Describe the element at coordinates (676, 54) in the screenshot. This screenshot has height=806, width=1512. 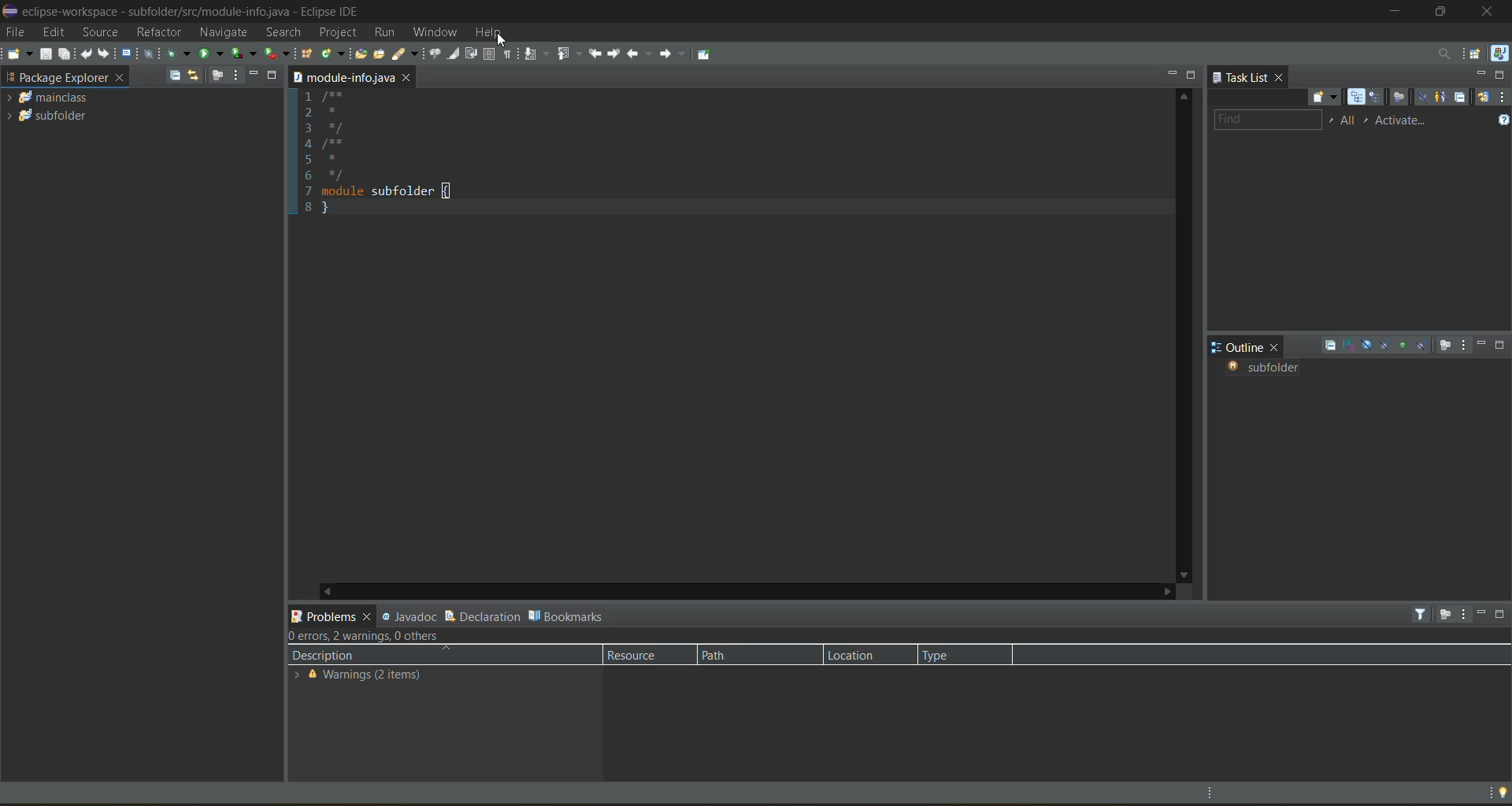
I see `forward` at that location.